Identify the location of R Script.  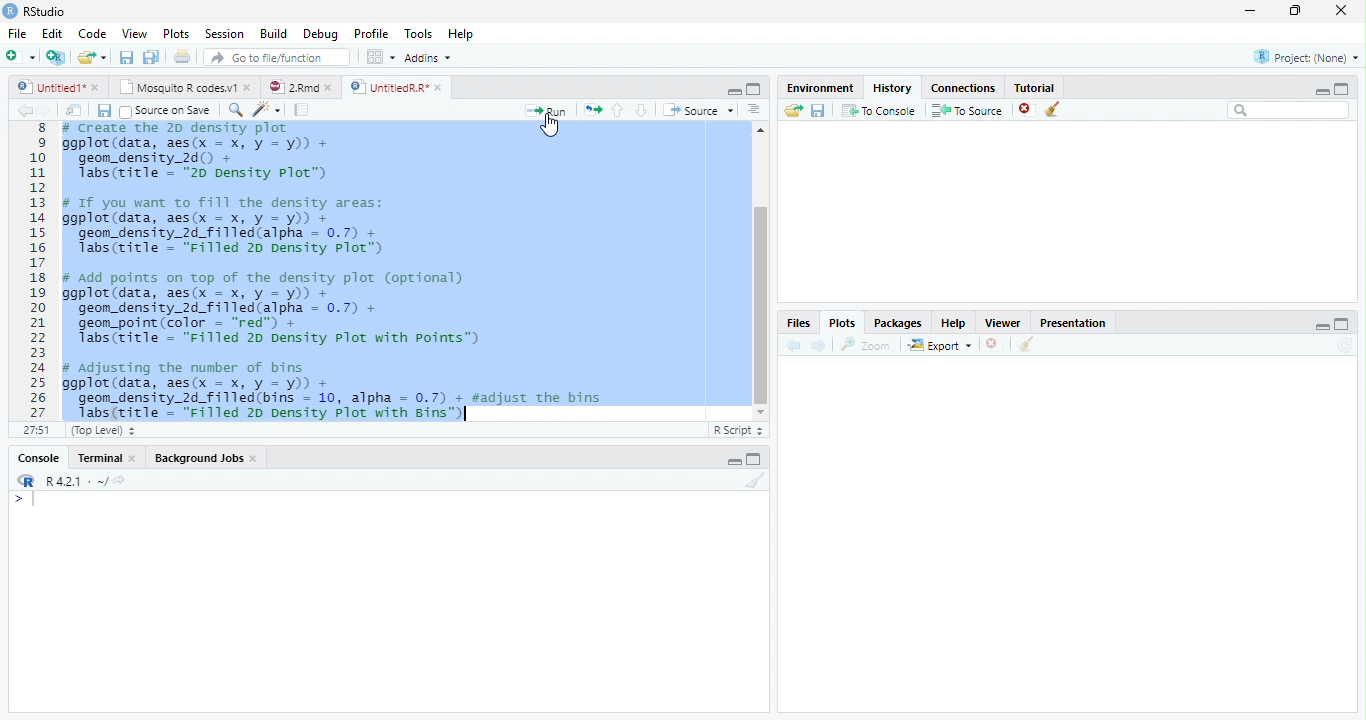
(739, 431).